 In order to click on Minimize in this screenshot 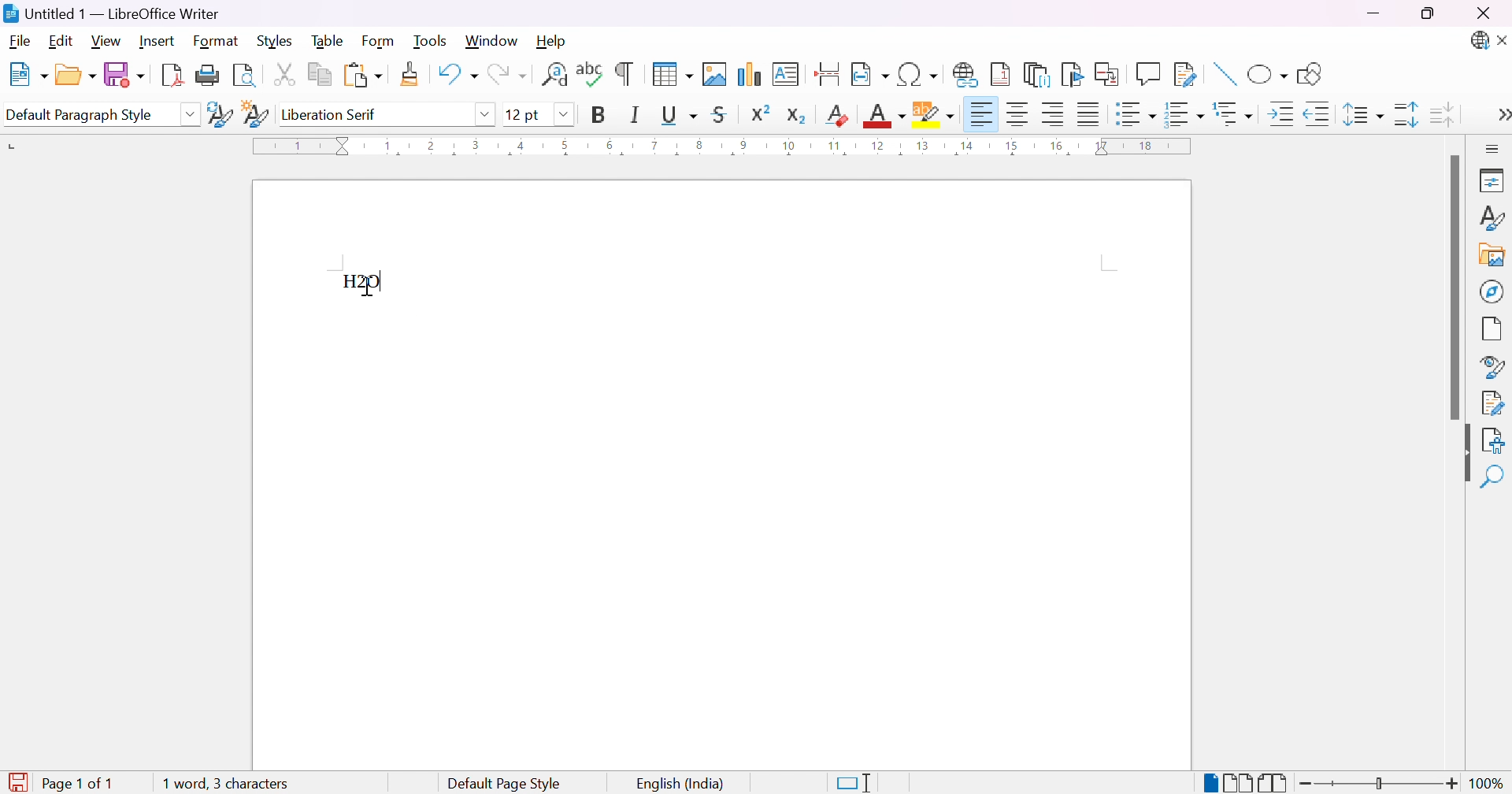, I will do `click(1376, 13)`.